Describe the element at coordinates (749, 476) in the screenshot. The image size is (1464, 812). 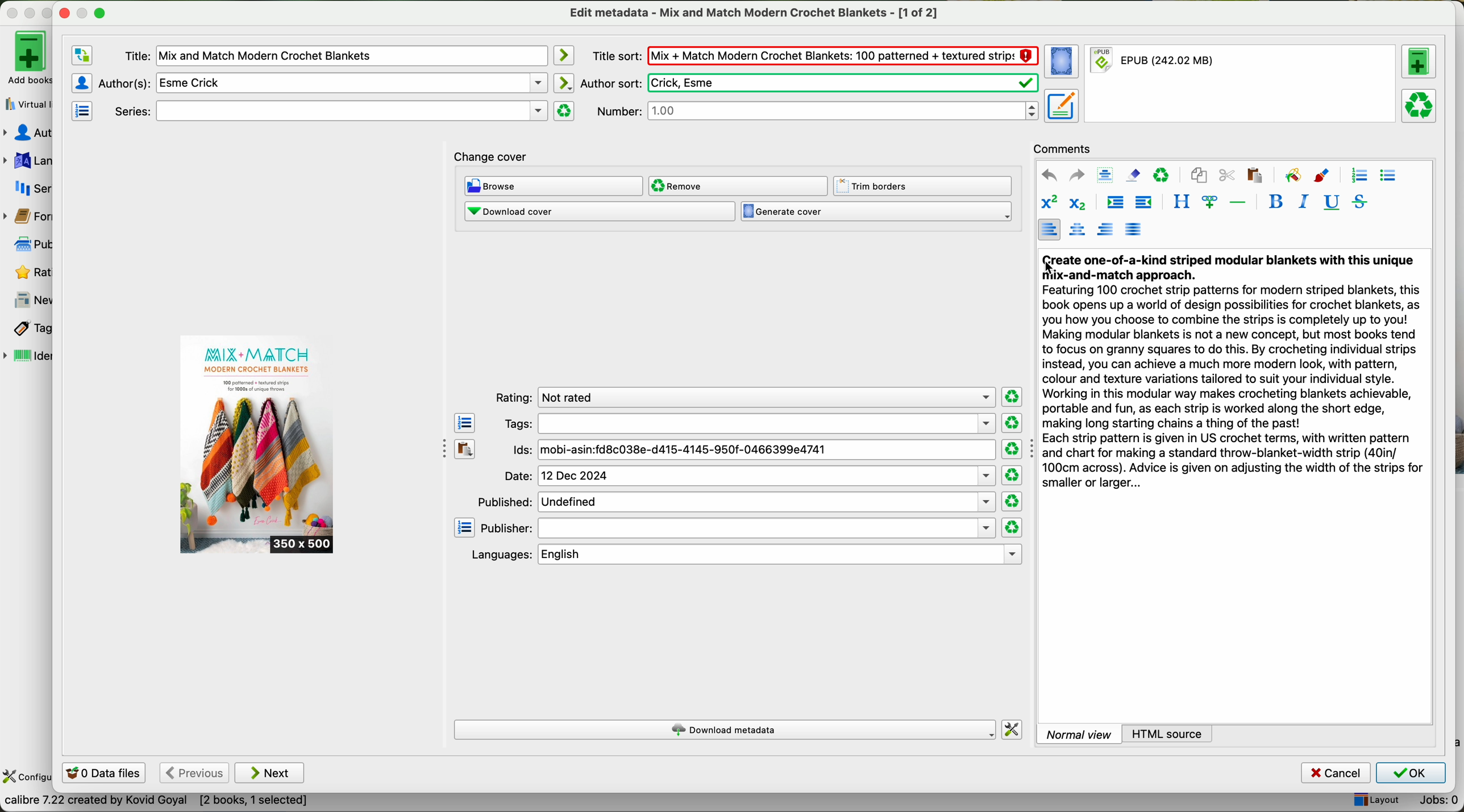
I see `date` at that location.